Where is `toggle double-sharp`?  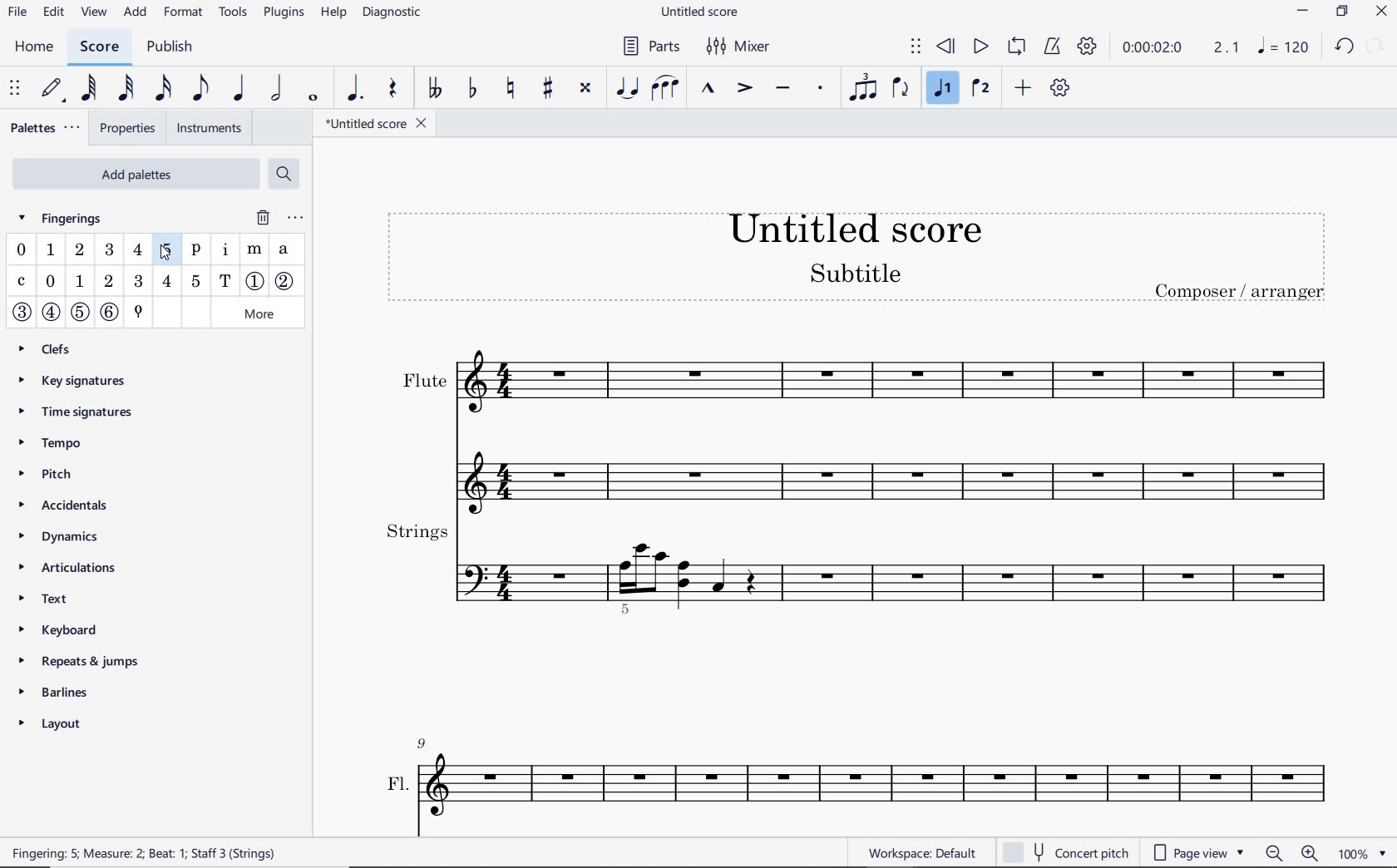
toggle double-sharp is located at coordinates (586, 88).